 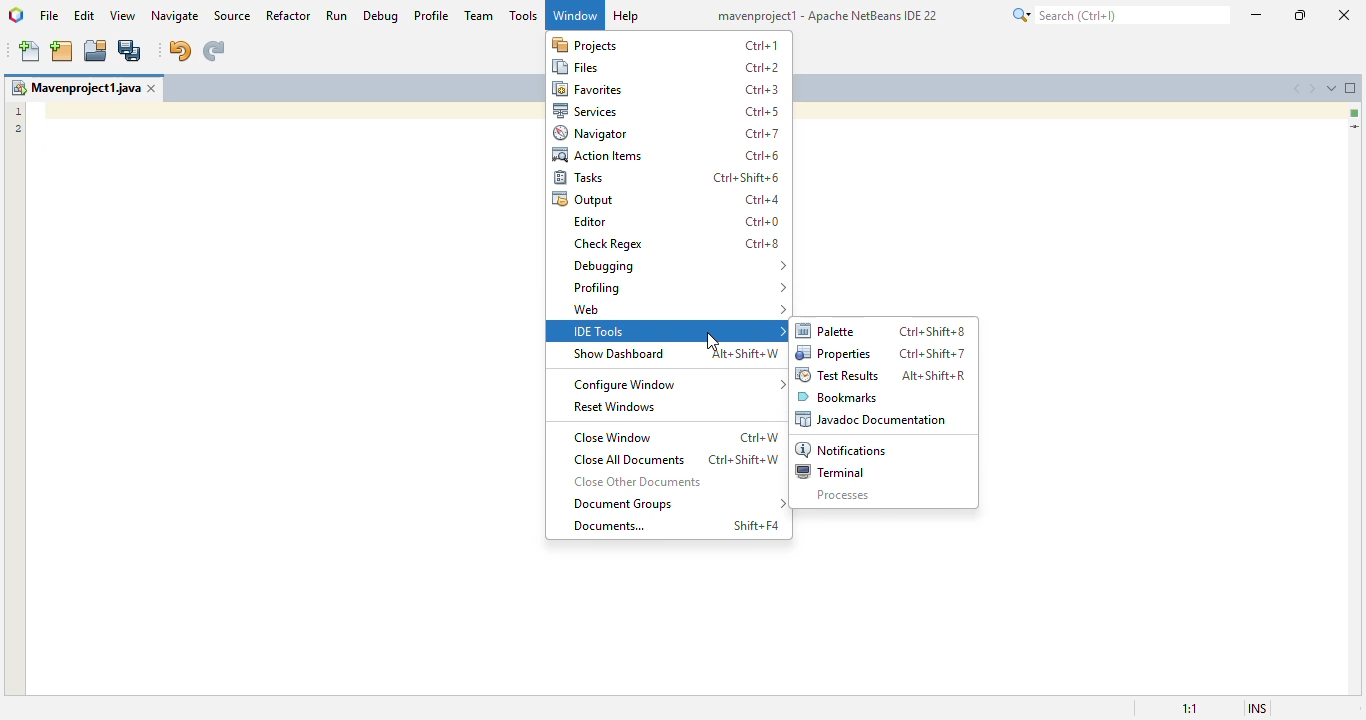 I want to click on scroll documents left, so click(x=1297, y=88).